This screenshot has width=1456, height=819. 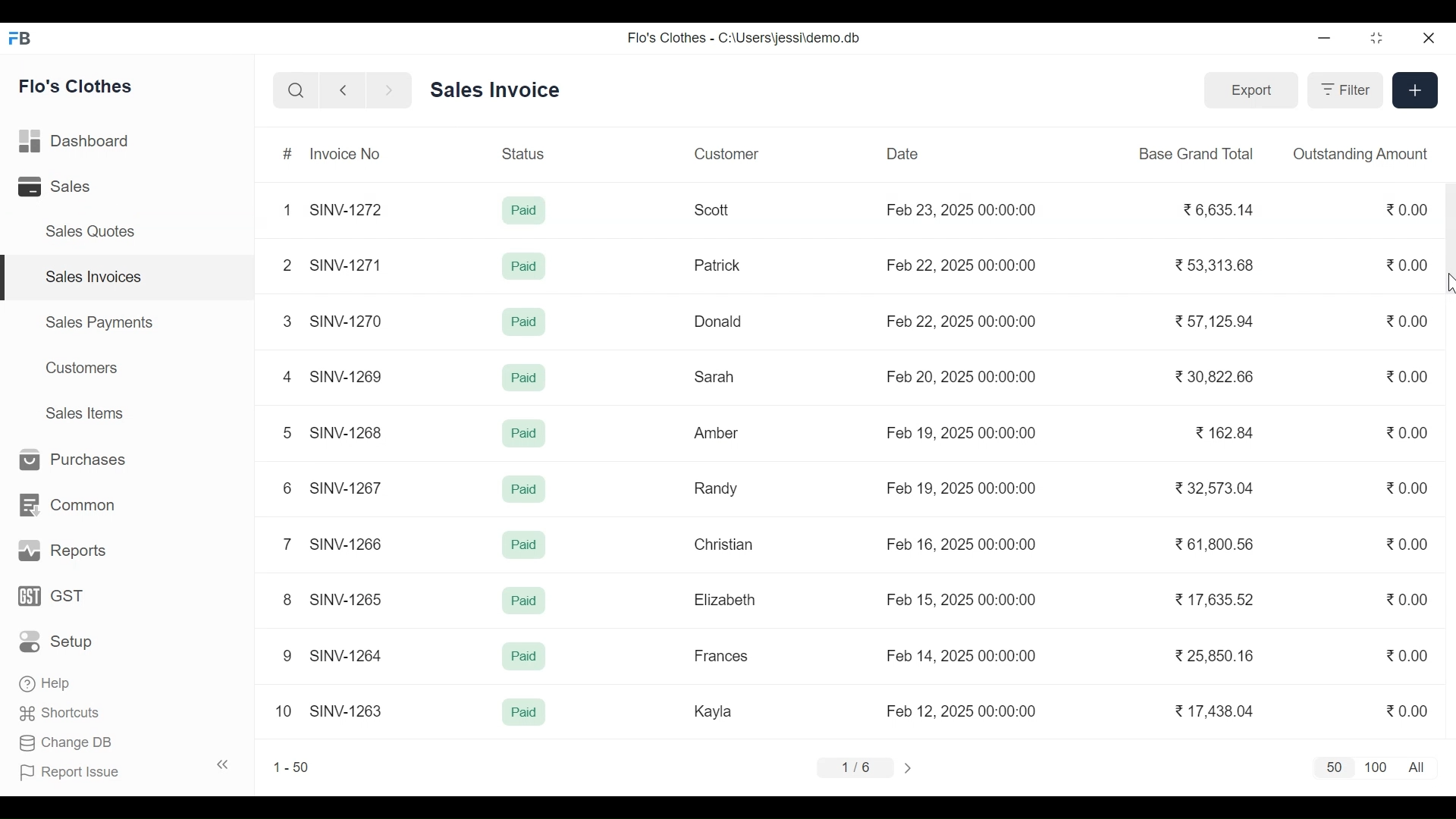 What do you see at coordinates (526, 659) in the screenshot?
I see `Paid` at bounding box center [526, 659].